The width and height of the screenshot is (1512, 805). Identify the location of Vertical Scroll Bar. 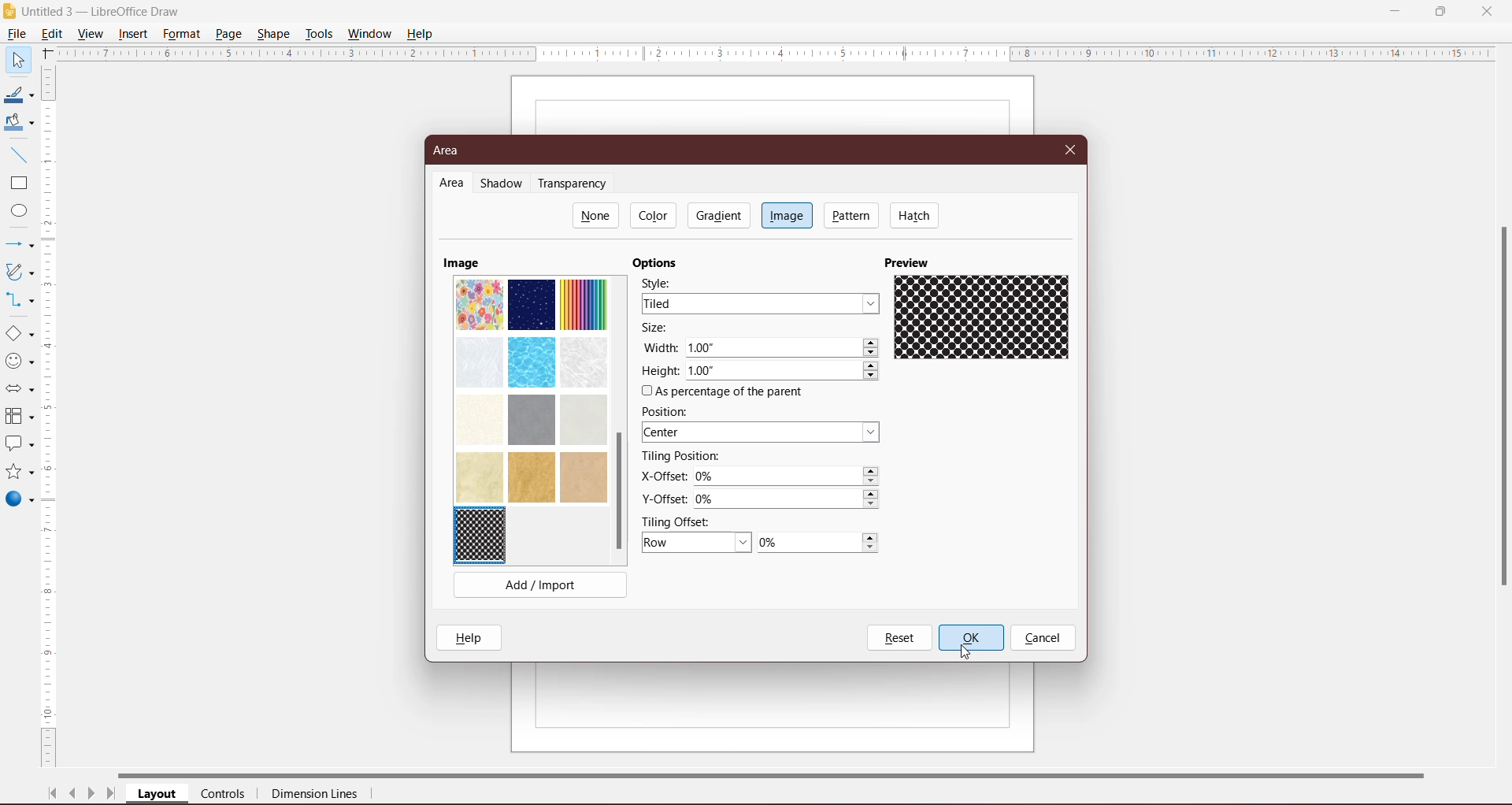
(50, 417).